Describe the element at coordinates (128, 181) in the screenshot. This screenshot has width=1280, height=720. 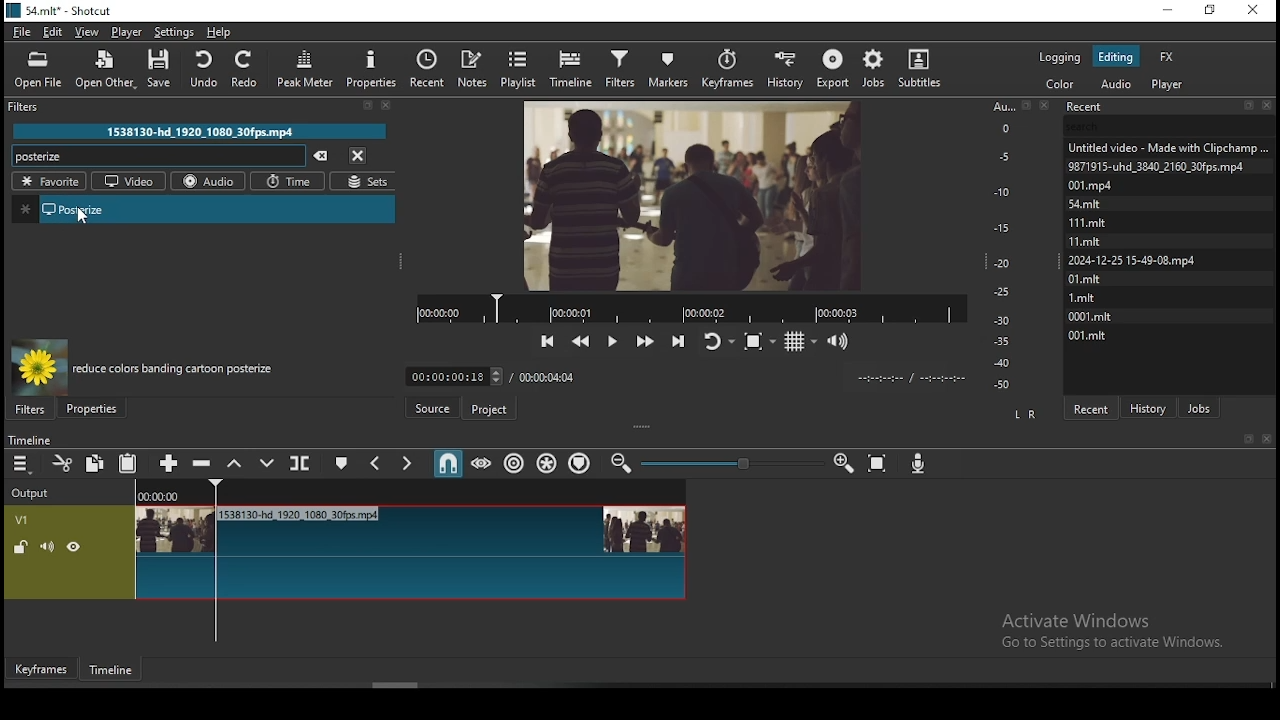
I see `video` at that location.